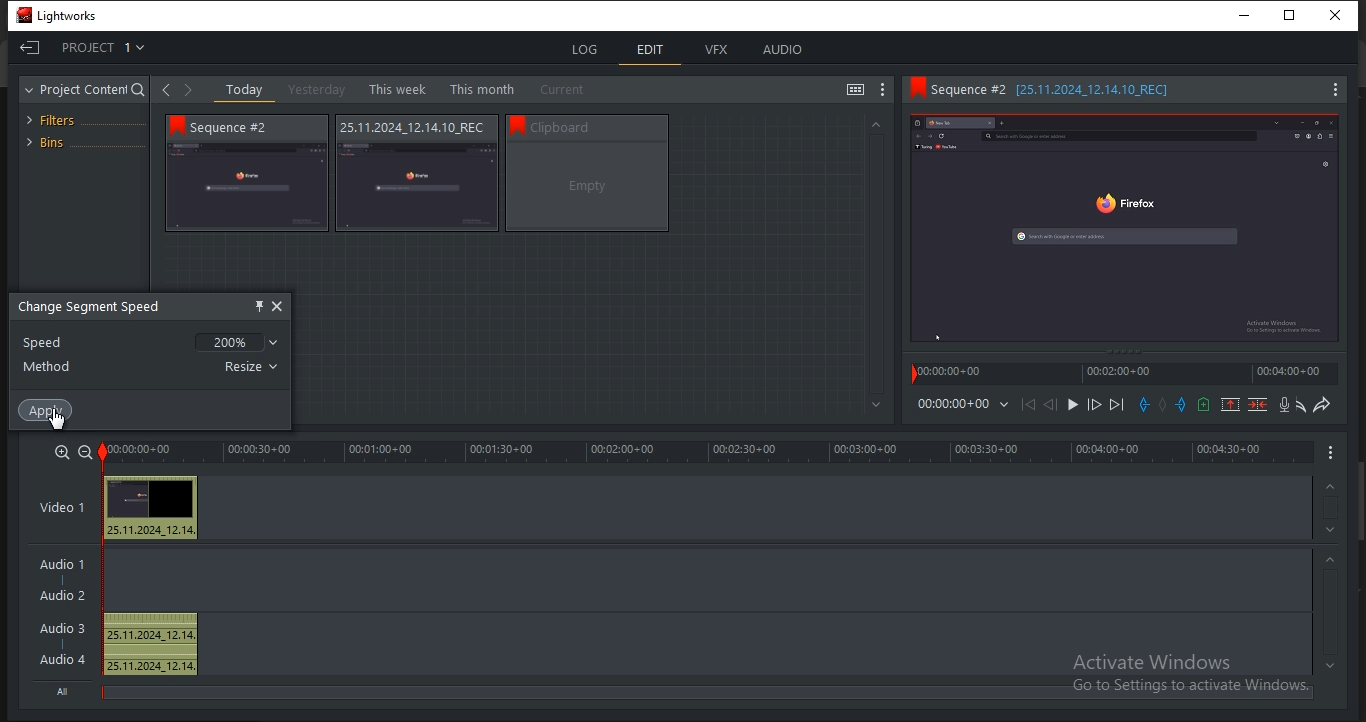 This screenshot has height=722, width=1366. What do you see at coordinates (1338, 665) in the screenshot?
I see `timeline navigation up arrow` at bounding box center [1338, 665].